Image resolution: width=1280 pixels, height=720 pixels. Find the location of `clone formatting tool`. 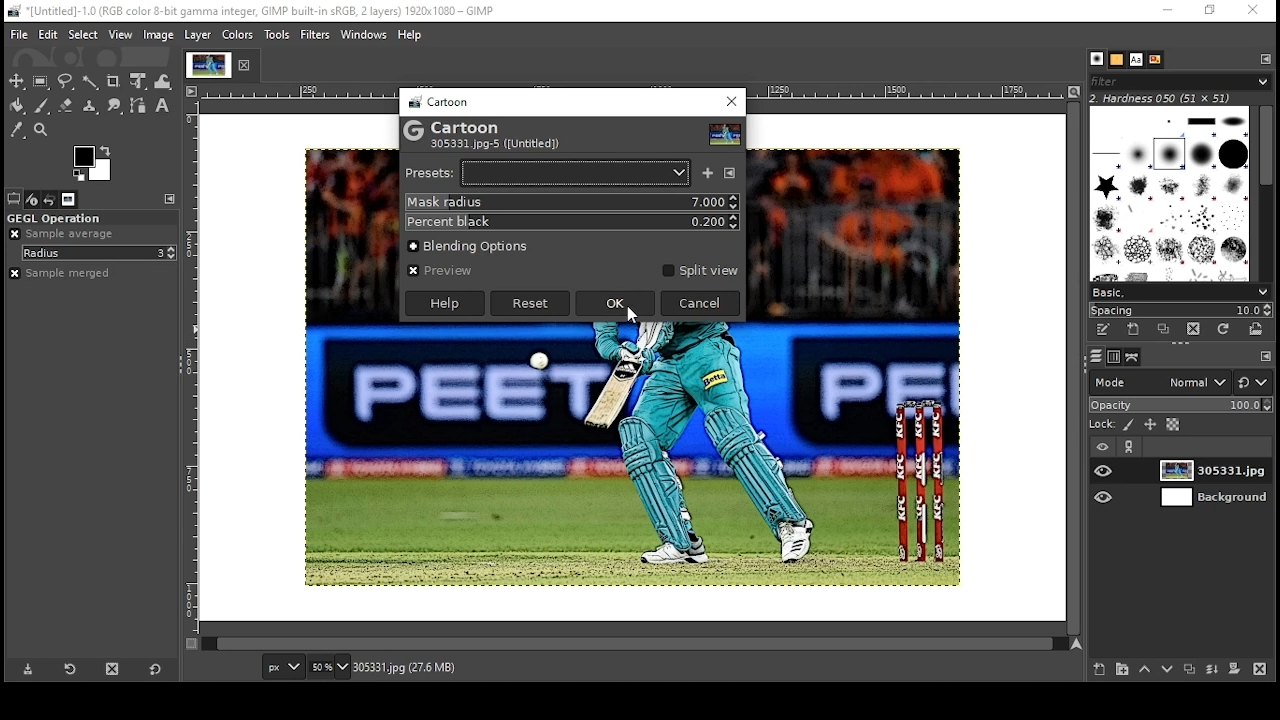

clone formatting tool is located at coordinates (90, 106).